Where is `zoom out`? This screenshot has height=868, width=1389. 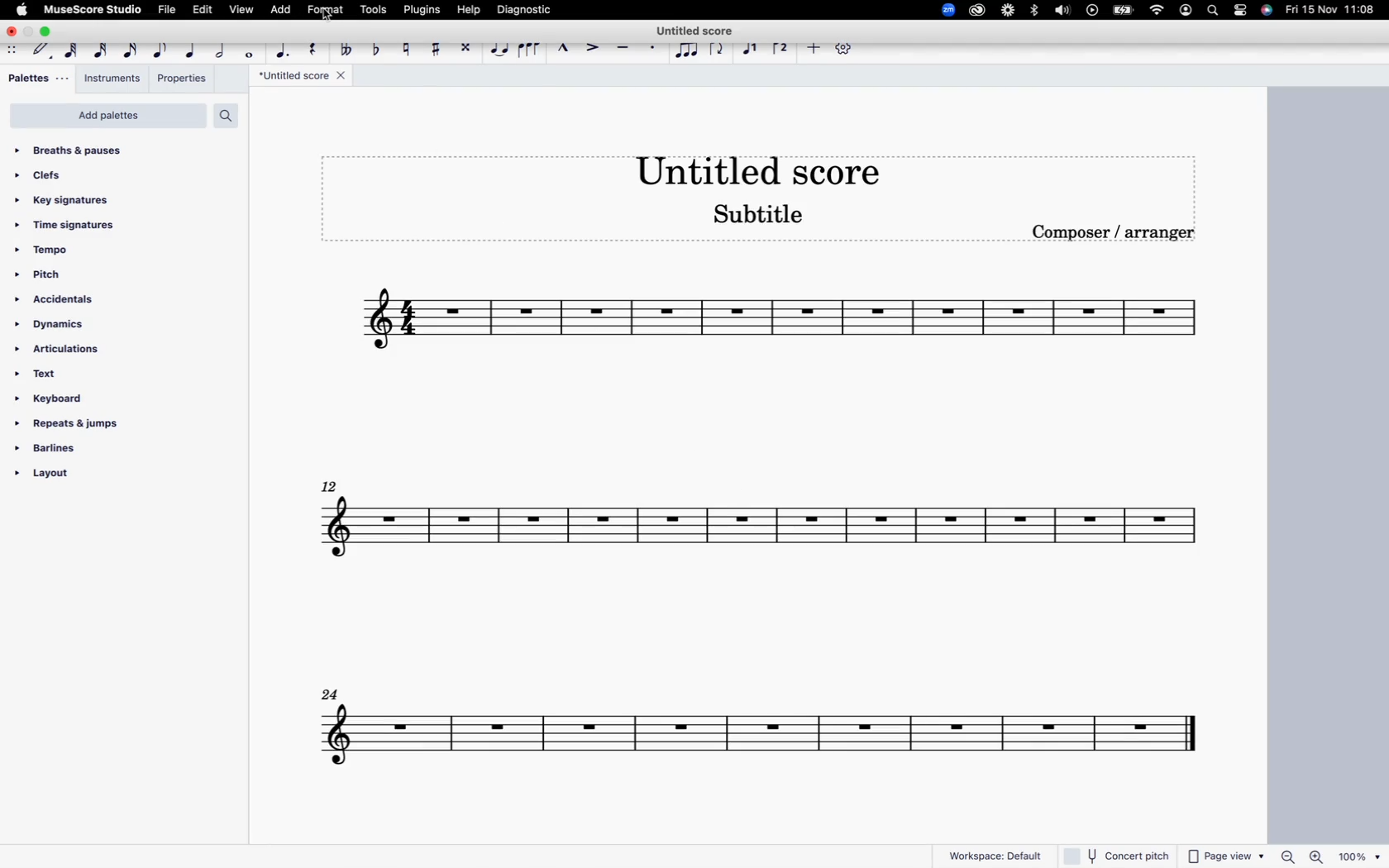
zoom out is located at coordinates (1291, 853).